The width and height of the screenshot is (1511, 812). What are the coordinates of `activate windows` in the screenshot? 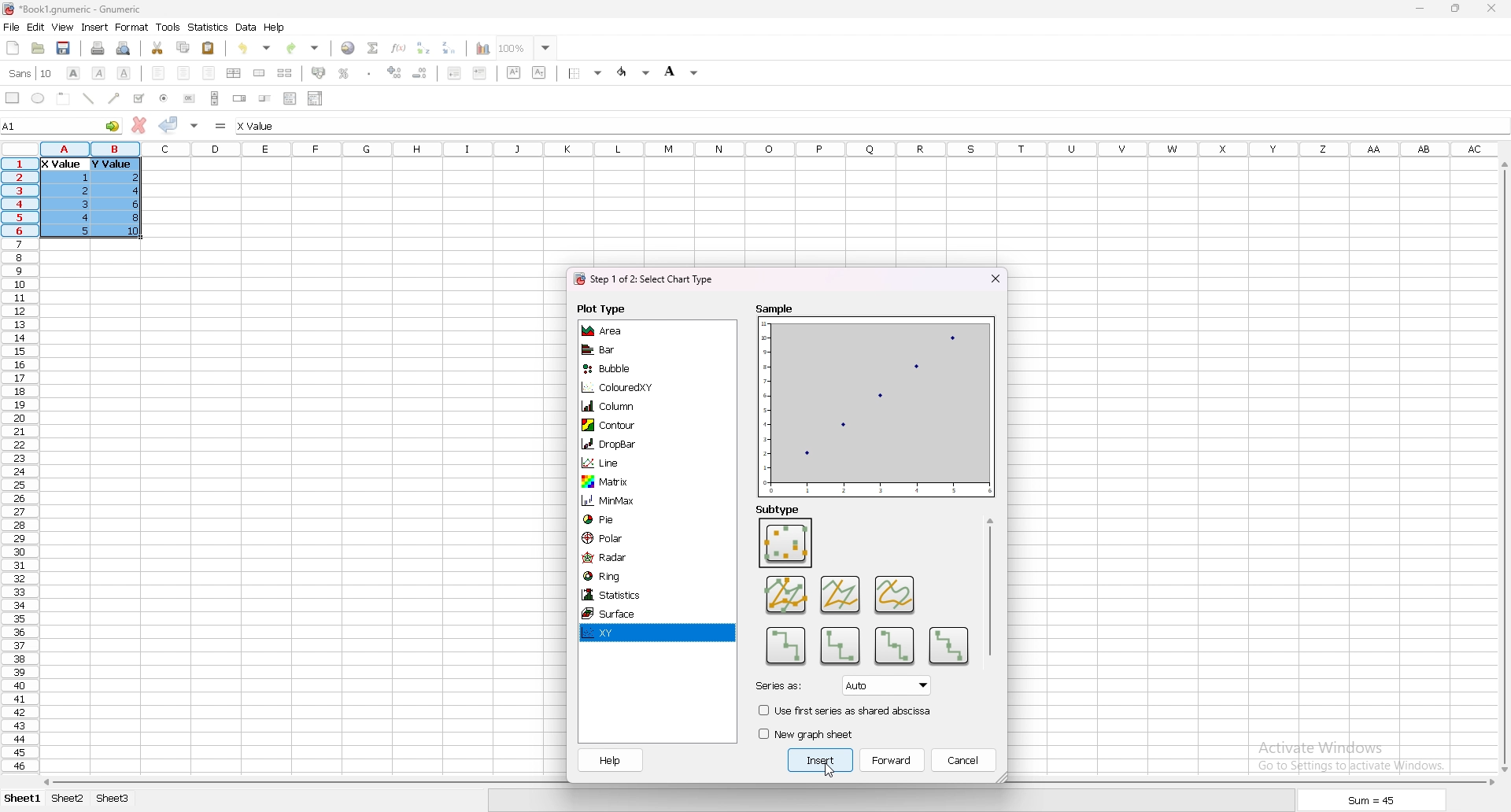 It's located at (1357, 754).